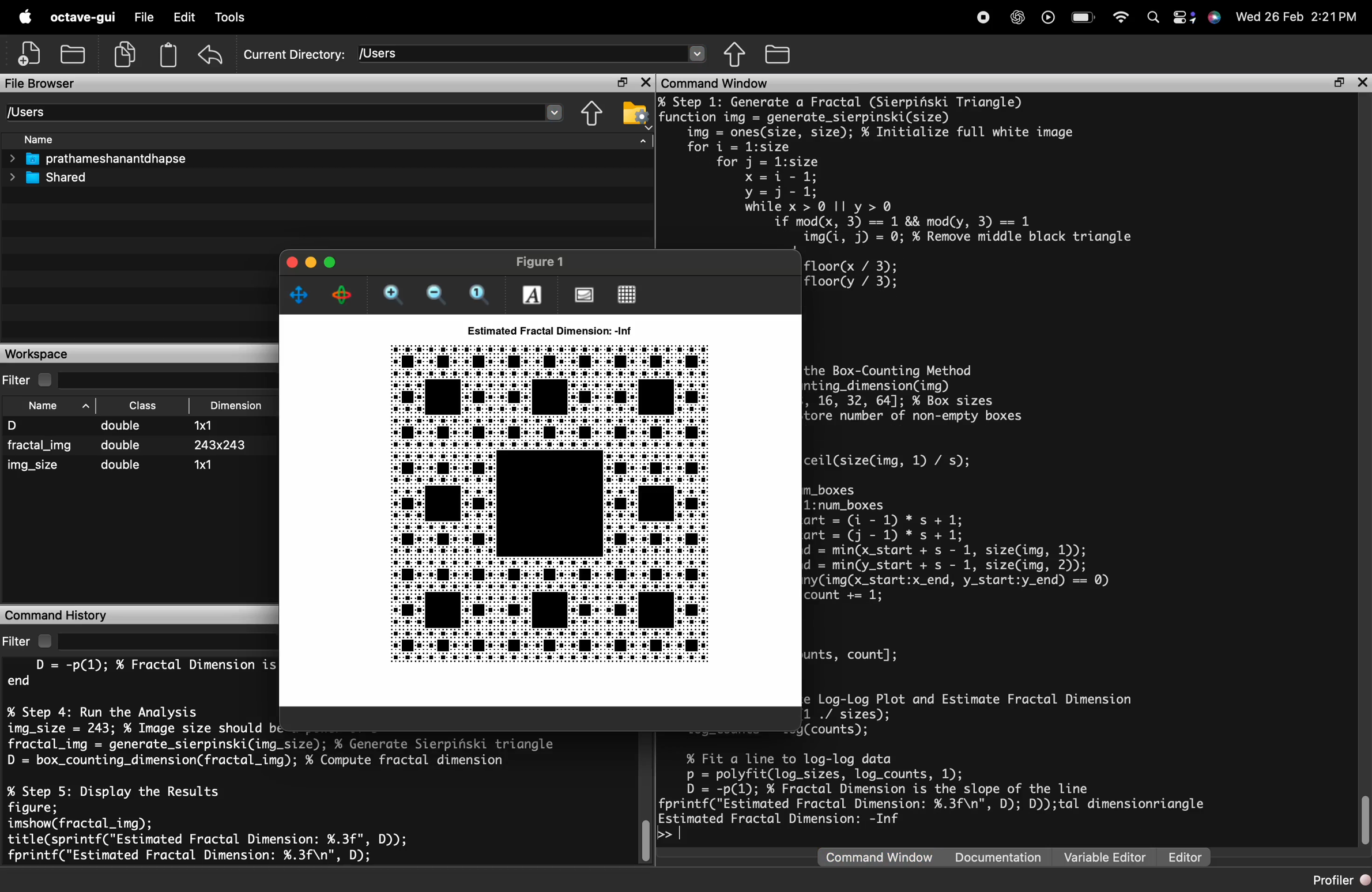  I want to click on Edit, so click(184, 16).